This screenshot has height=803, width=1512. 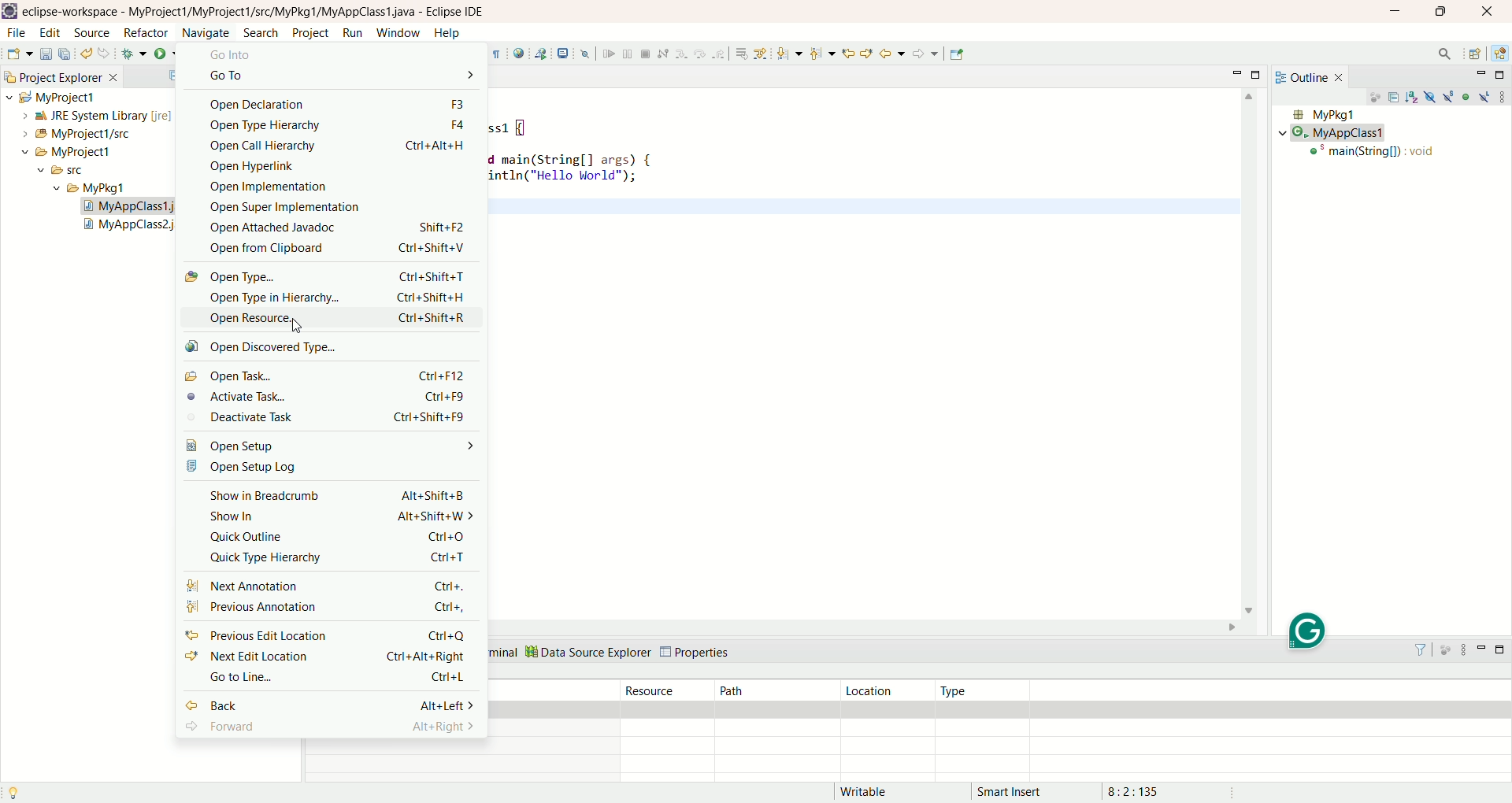 I want to click on deactivate task, so click(x=325, y=418).